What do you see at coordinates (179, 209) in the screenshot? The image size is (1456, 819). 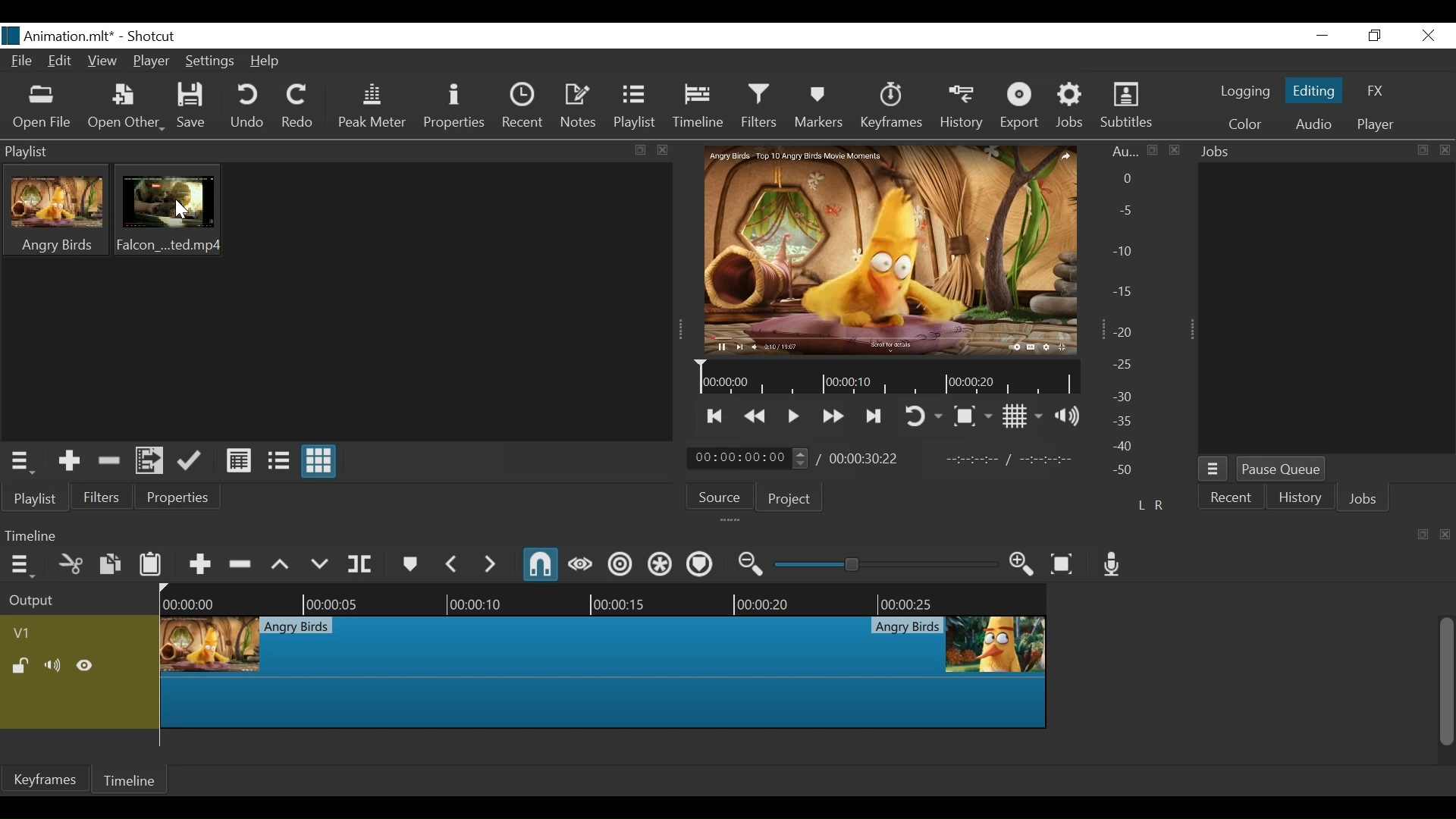 I see `Cursor` at bounding box center [179, 209].